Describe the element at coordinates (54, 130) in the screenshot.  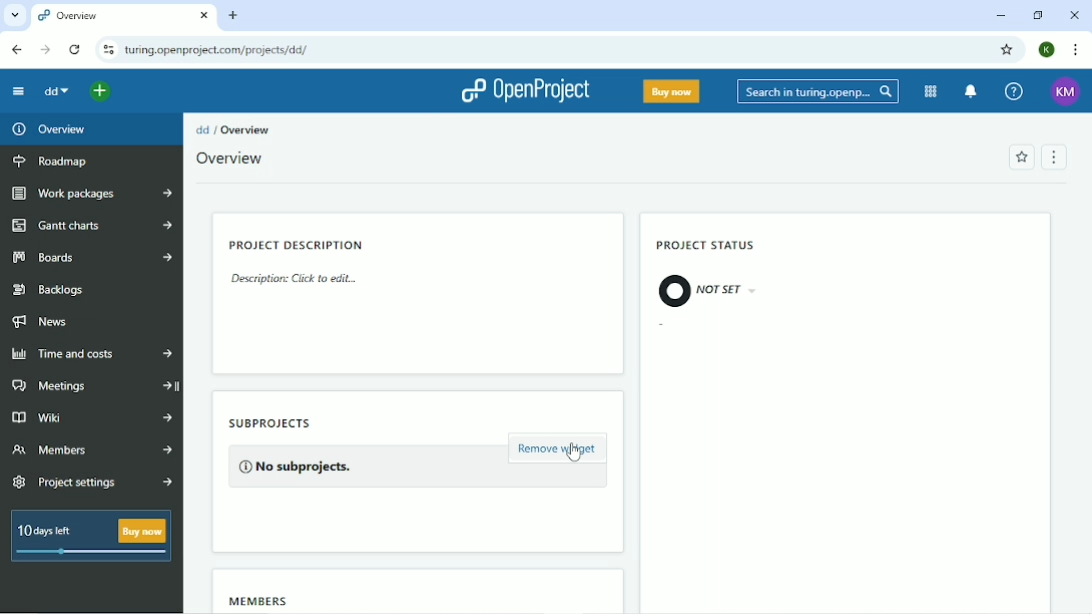
I see `Overview` at that location.